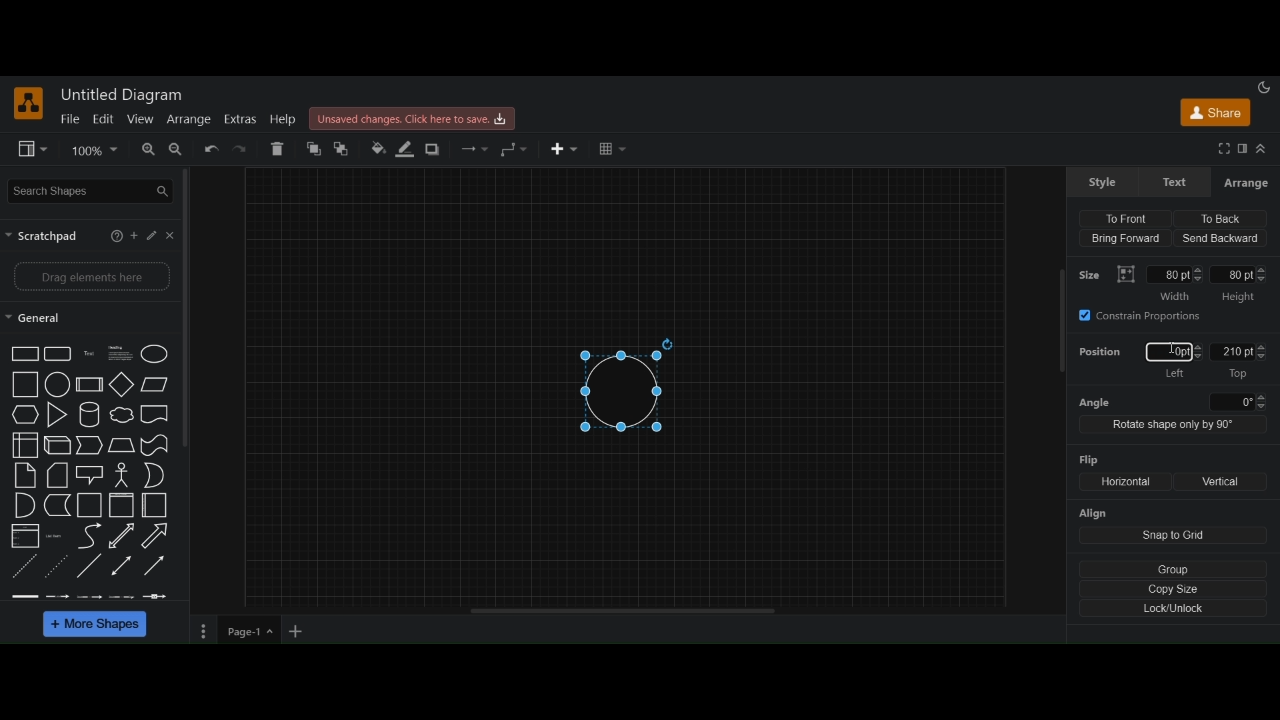 This screenshot has height=720, width=1280. What do you see at coordinates (58, 416) in the screenshot?
I see `Triangle` at bounding box center [58, 416].